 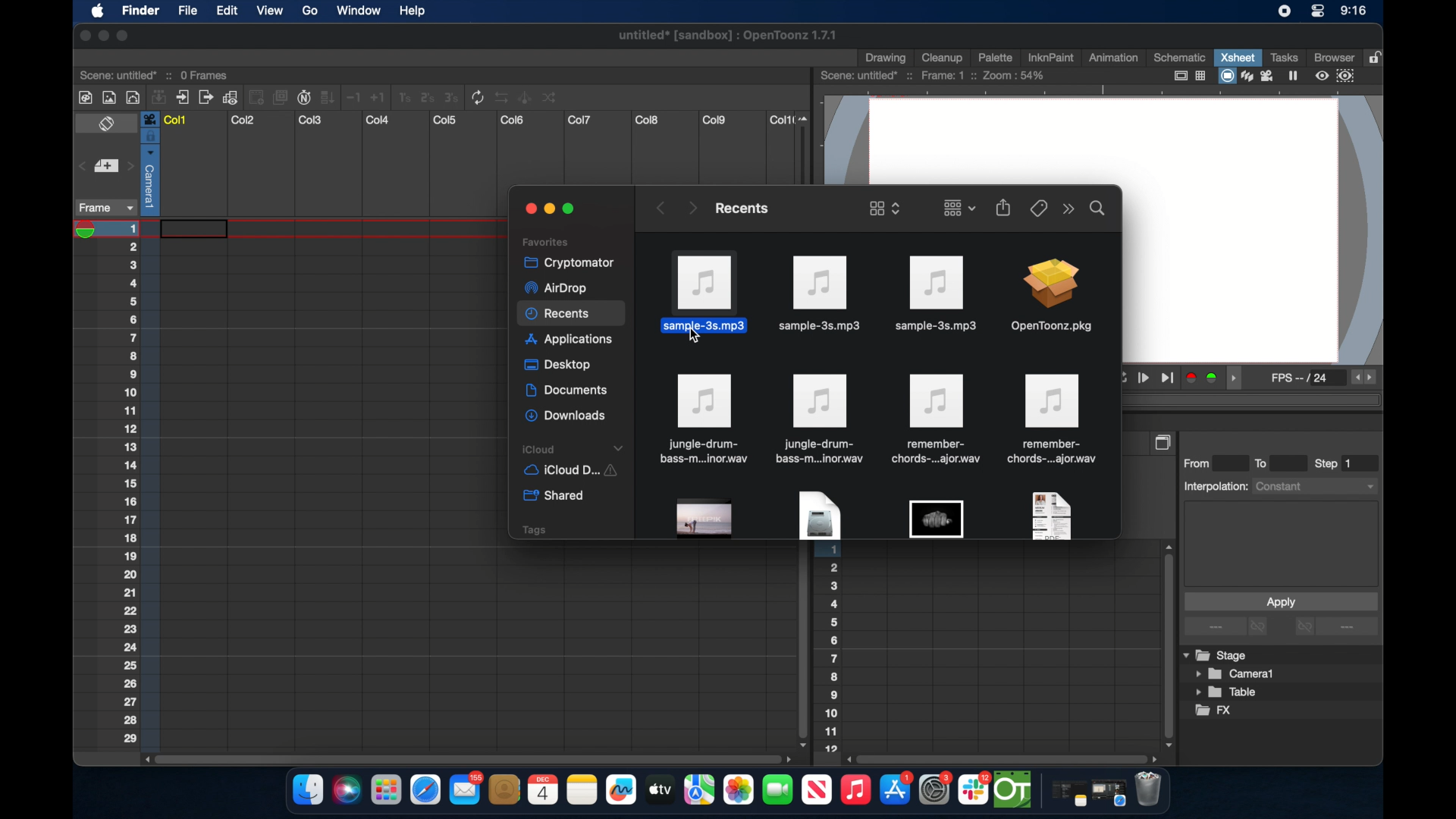 What do you see at coordinates (477, 120) in the screenshot?
I see `columns` at bounding box center [477, 120].